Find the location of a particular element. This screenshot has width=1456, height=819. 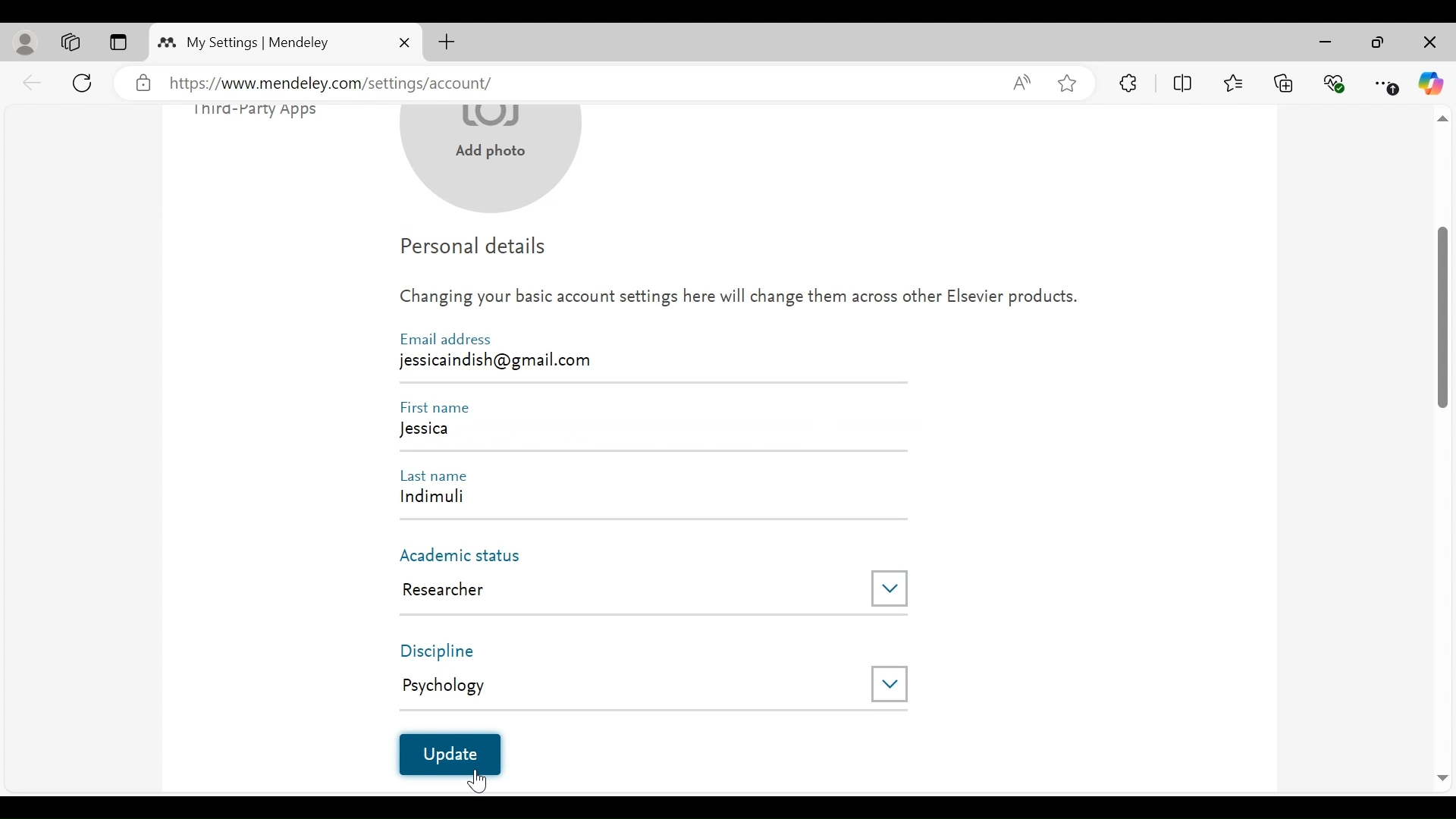

back is located at coordinates (33, 82).